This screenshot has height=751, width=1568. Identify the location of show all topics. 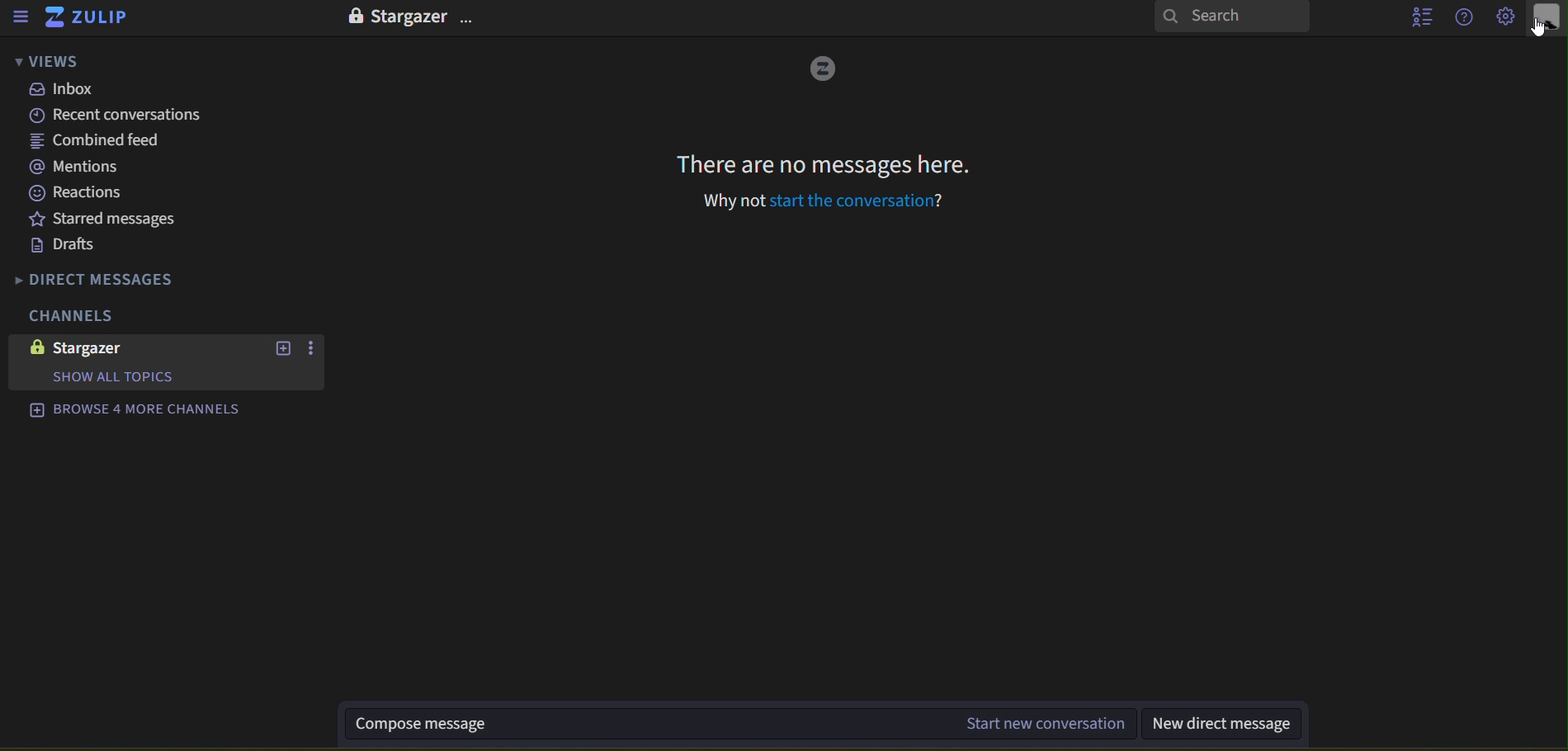
(143, 378).